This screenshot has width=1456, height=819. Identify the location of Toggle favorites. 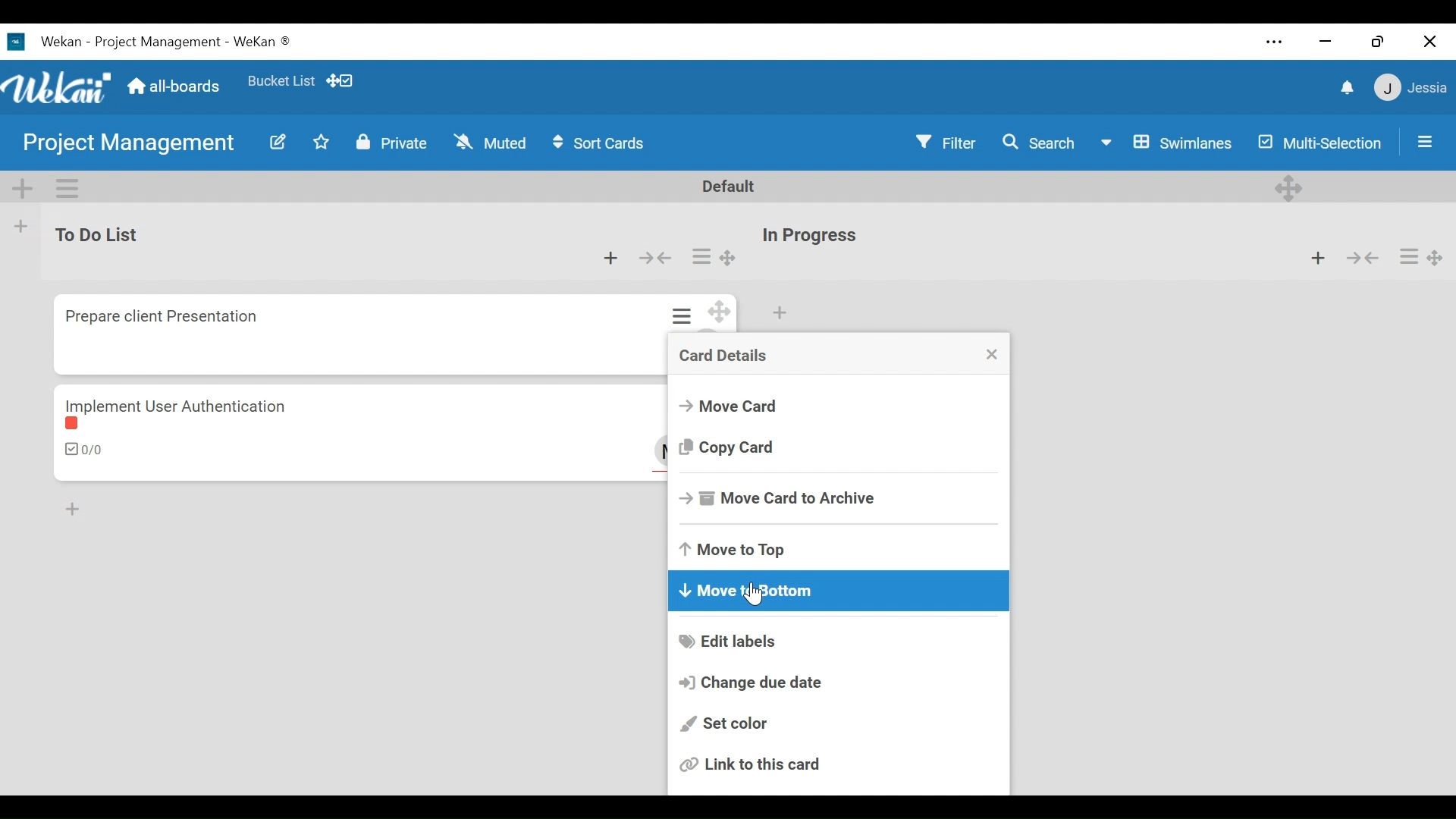
(322, 141).